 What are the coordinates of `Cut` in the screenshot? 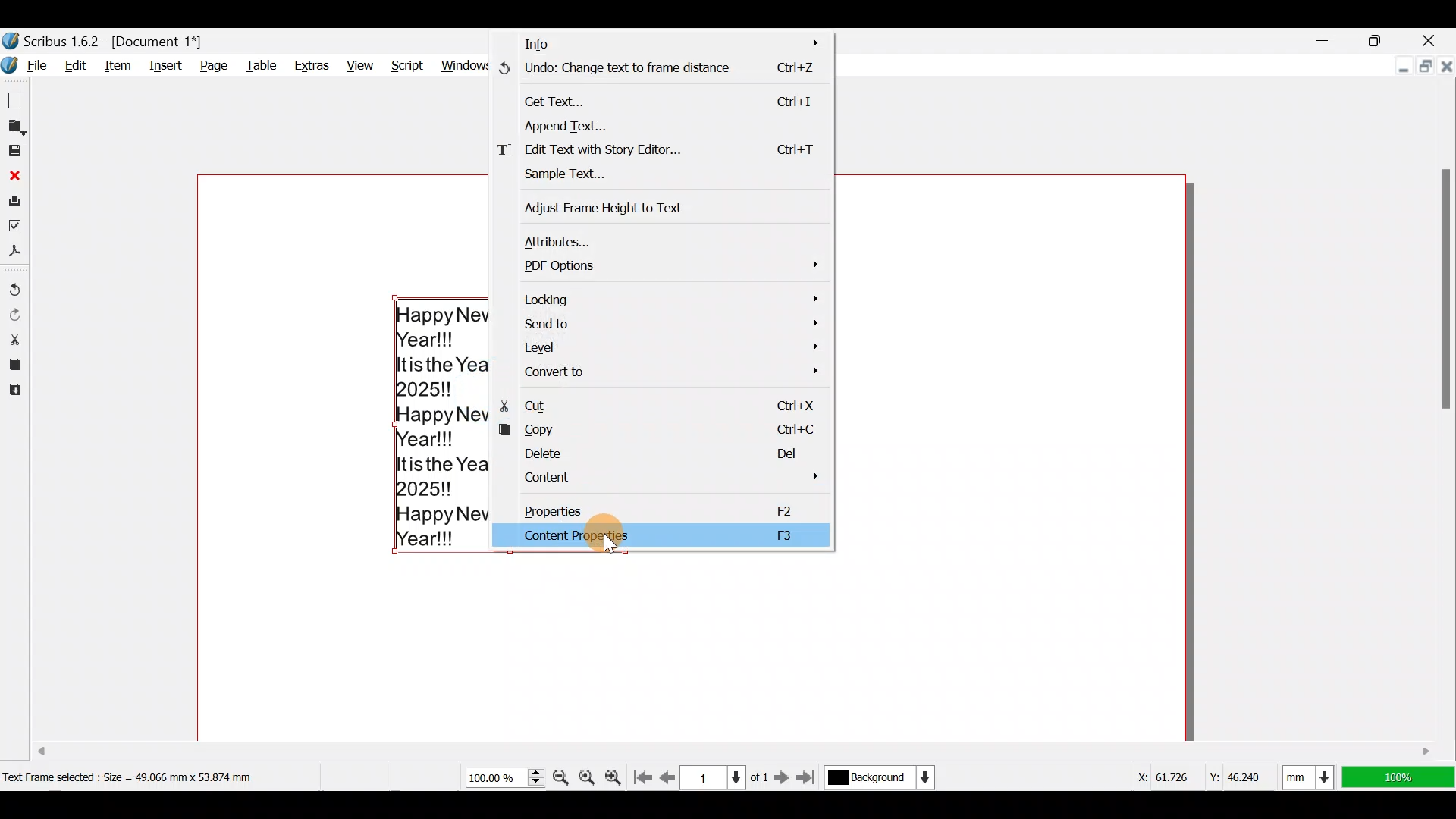 It's located at (664, 403).